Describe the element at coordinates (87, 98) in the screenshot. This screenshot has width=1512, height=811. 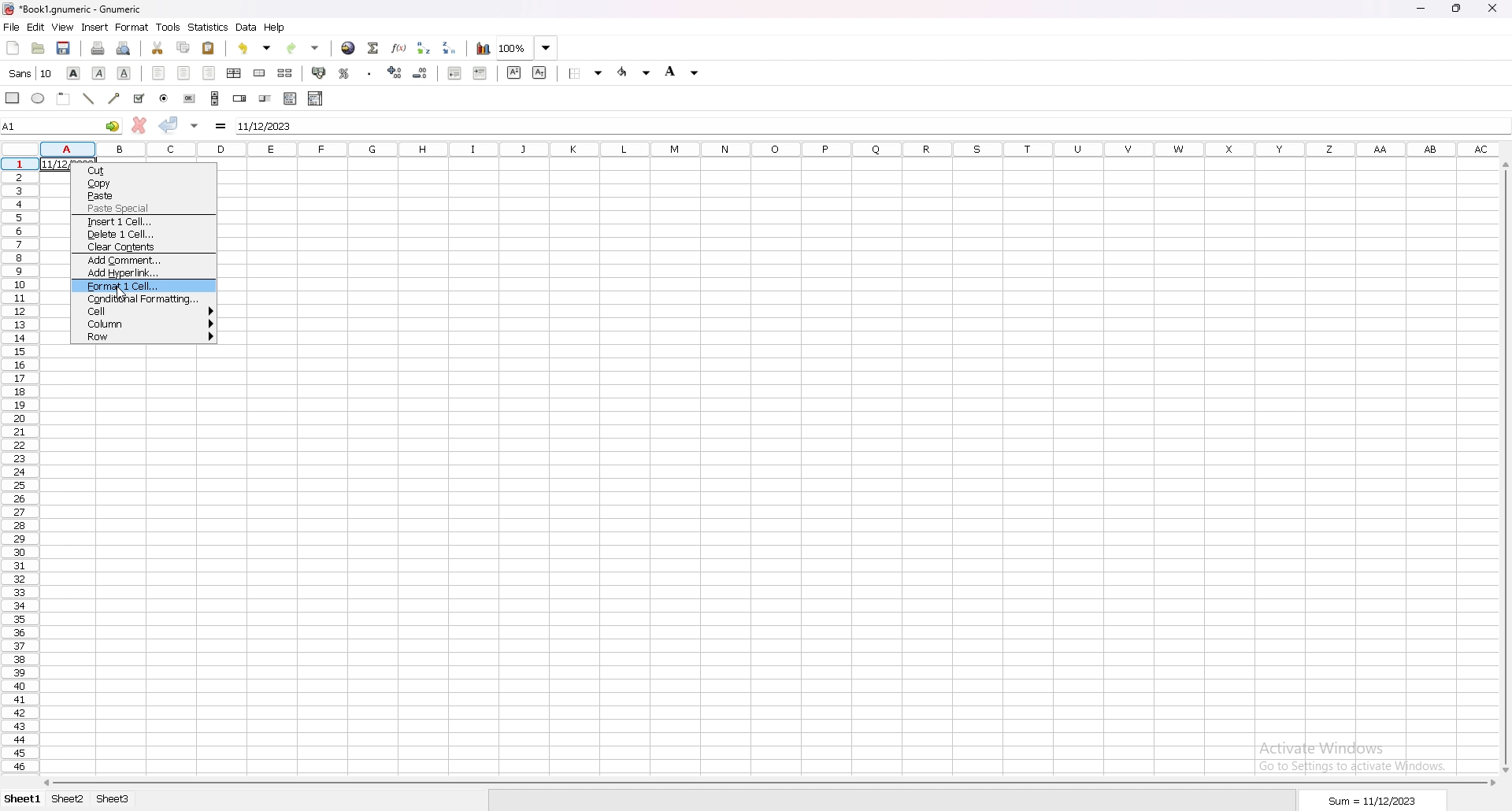
I see `line` at that location.